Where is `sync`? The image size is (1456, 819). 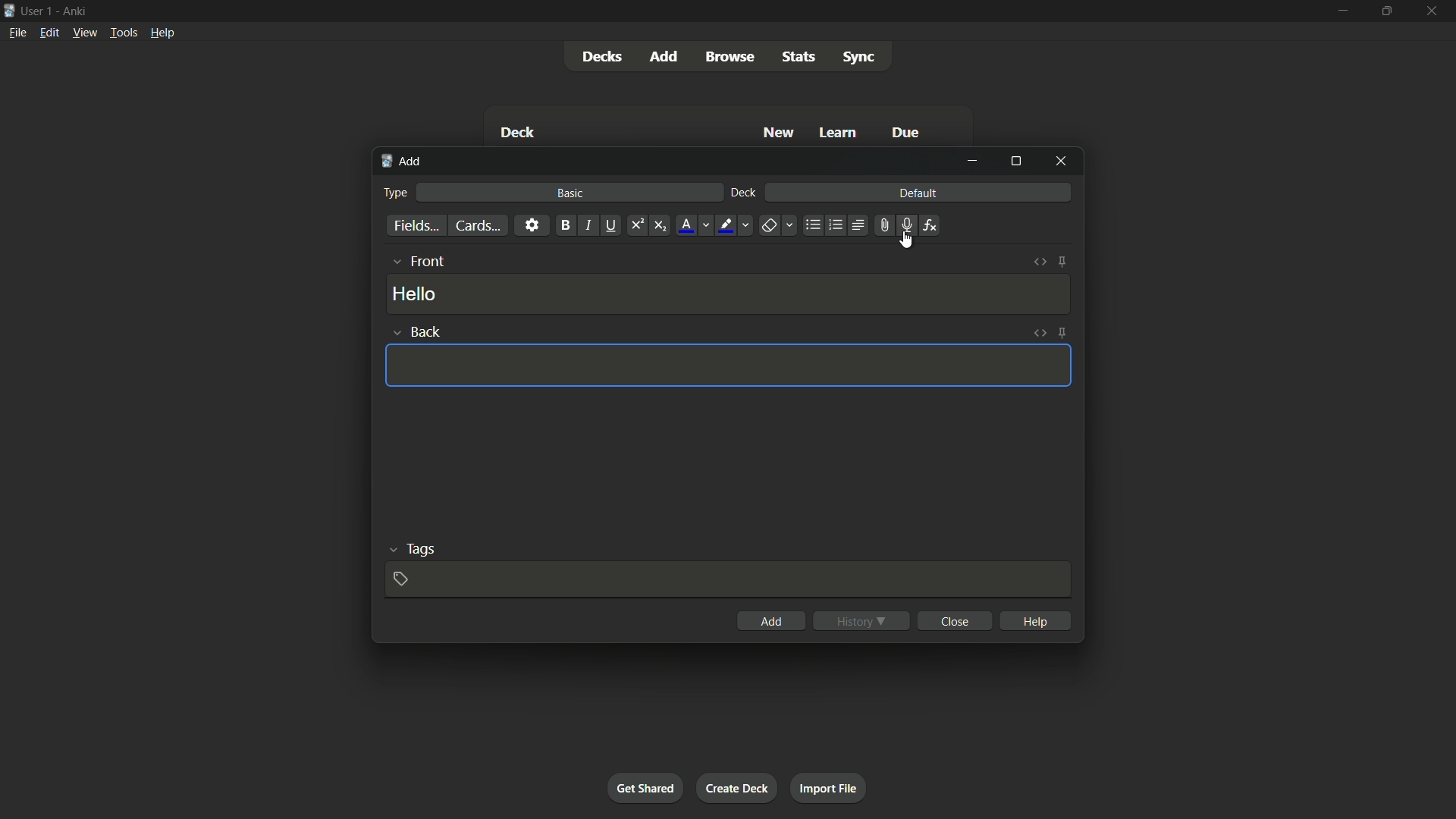 sync is located at coordinates (861, 58).